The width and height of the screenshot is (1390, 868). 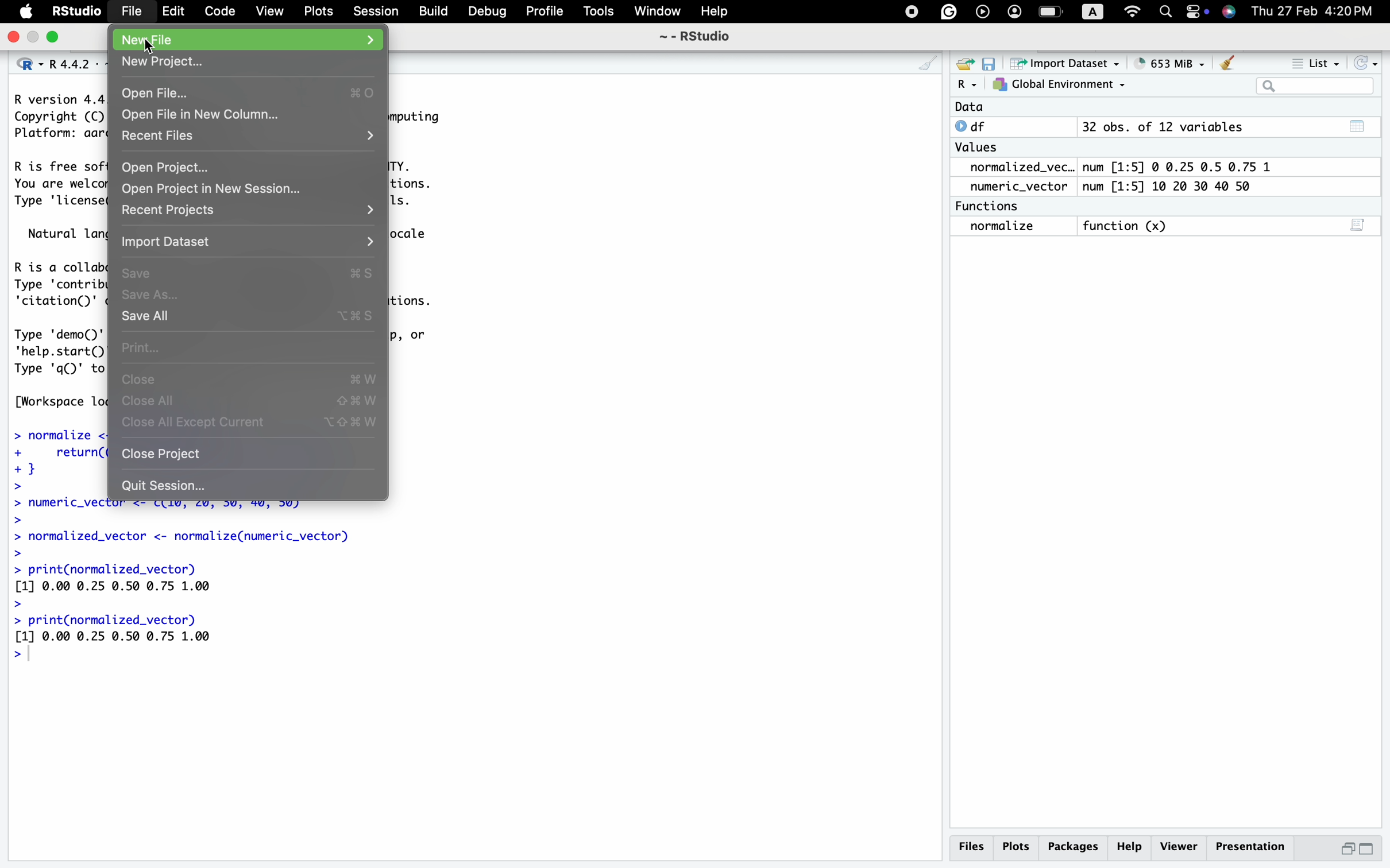 What do you see at coordinates (433, 10) in the screenshot?
I see `Build` at bounding box center [433, 10].